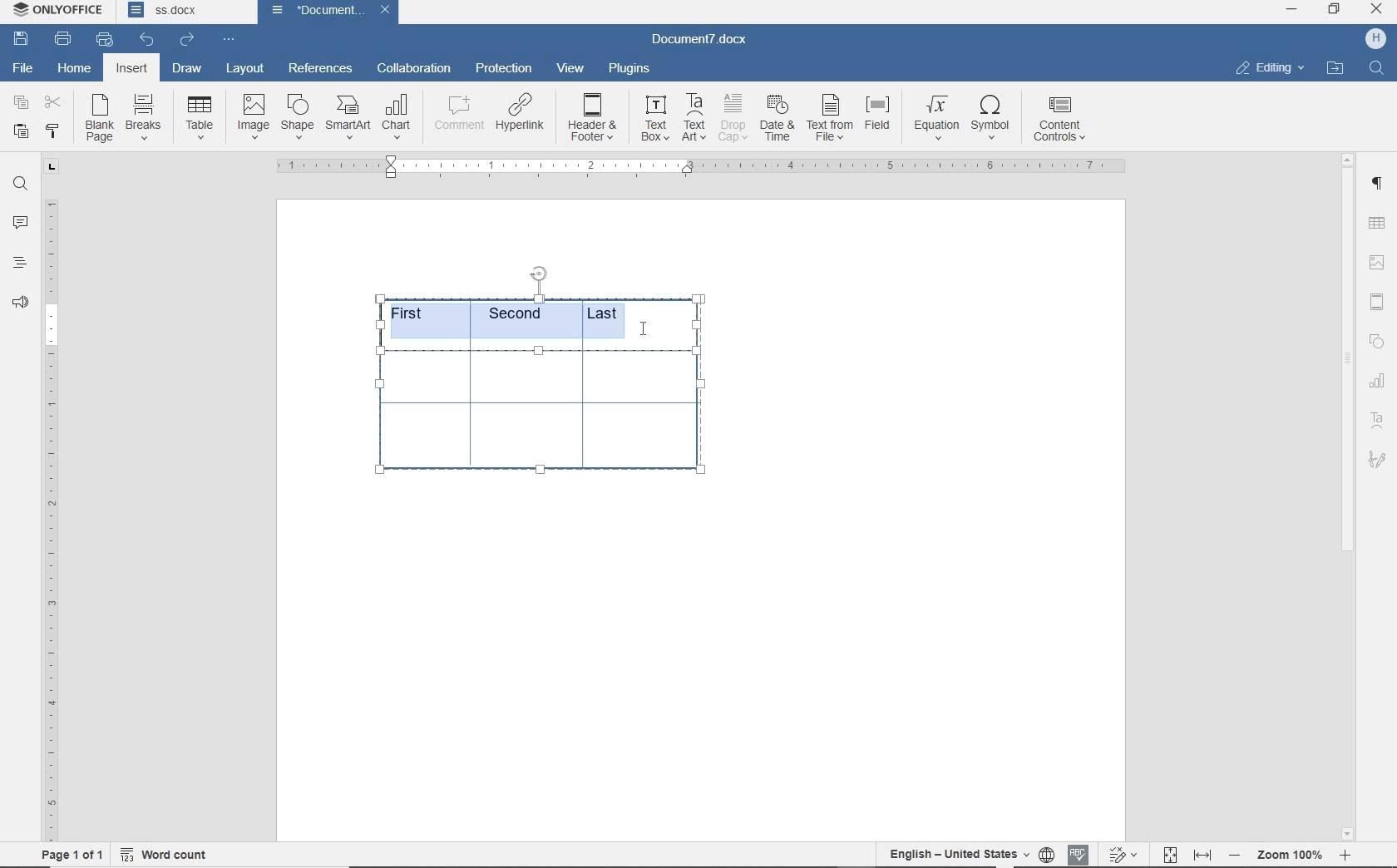 The image size is (1397, 868). What do you see at coordinates (1169, 852) in the screenshot?
I see `fit to page` at bounding box center [1169, 852].